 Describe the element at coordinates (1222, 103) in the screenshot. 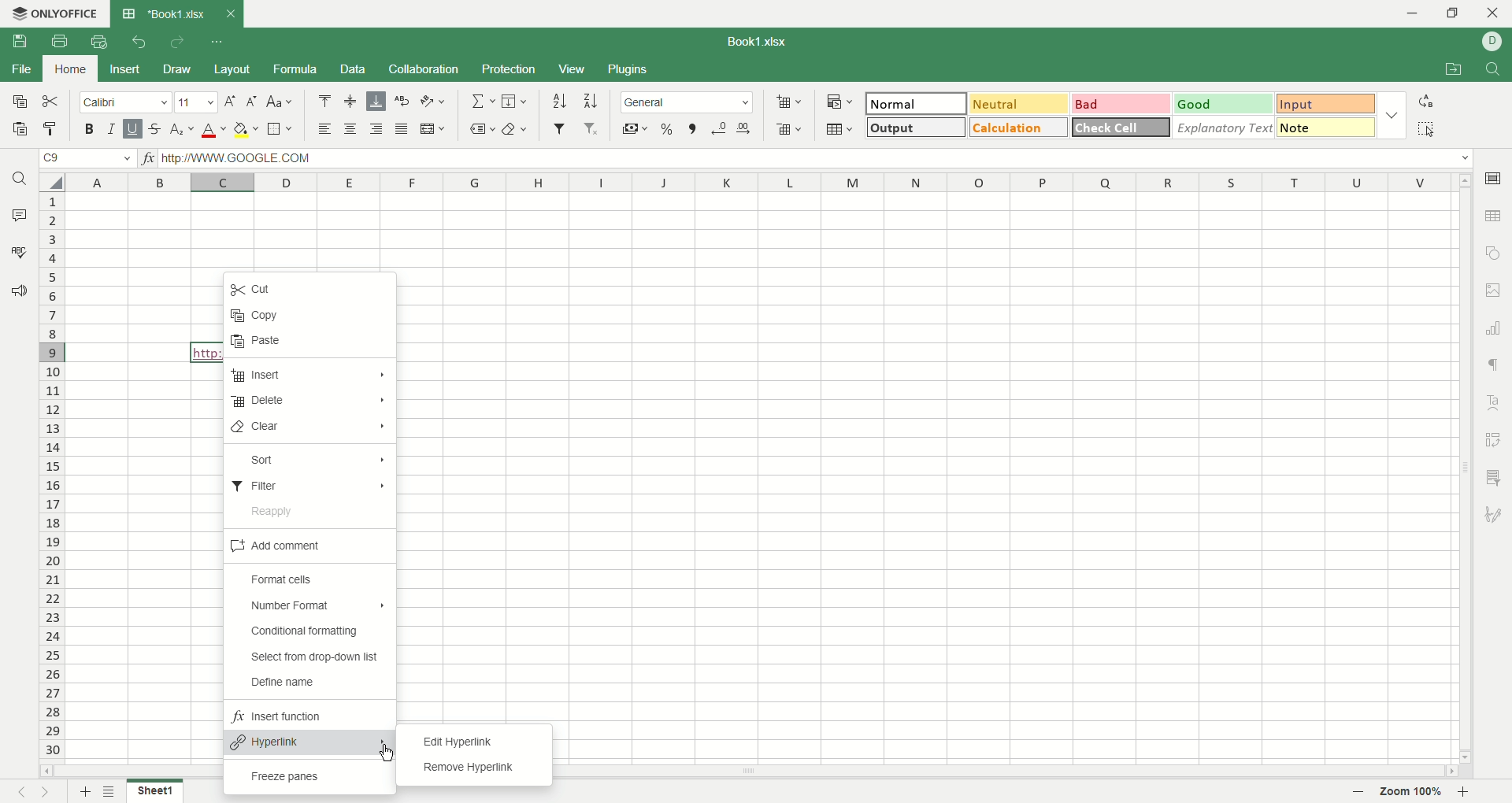

I see `good` at that location.